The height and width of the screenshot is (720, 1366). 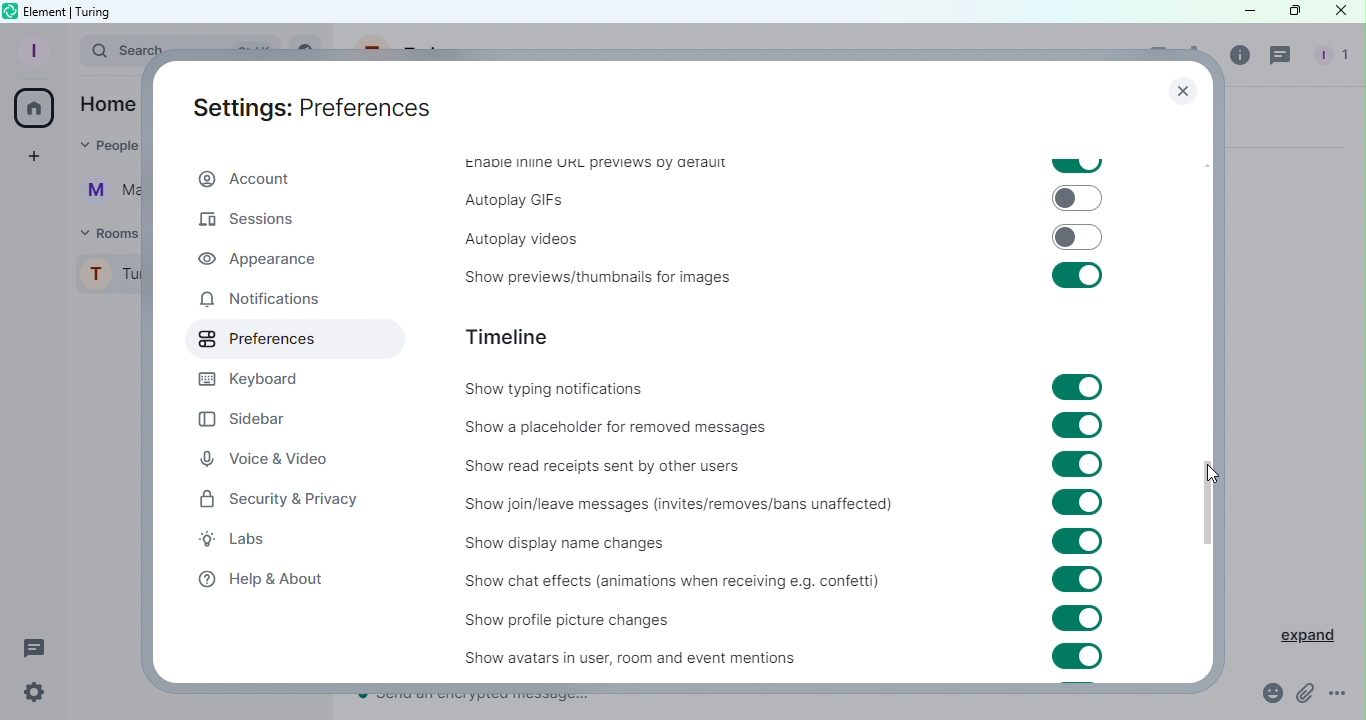 What do you see at coordinates (291, 340) in the screenshot?
I see `Prefrences` at bounding box center [291, 340].